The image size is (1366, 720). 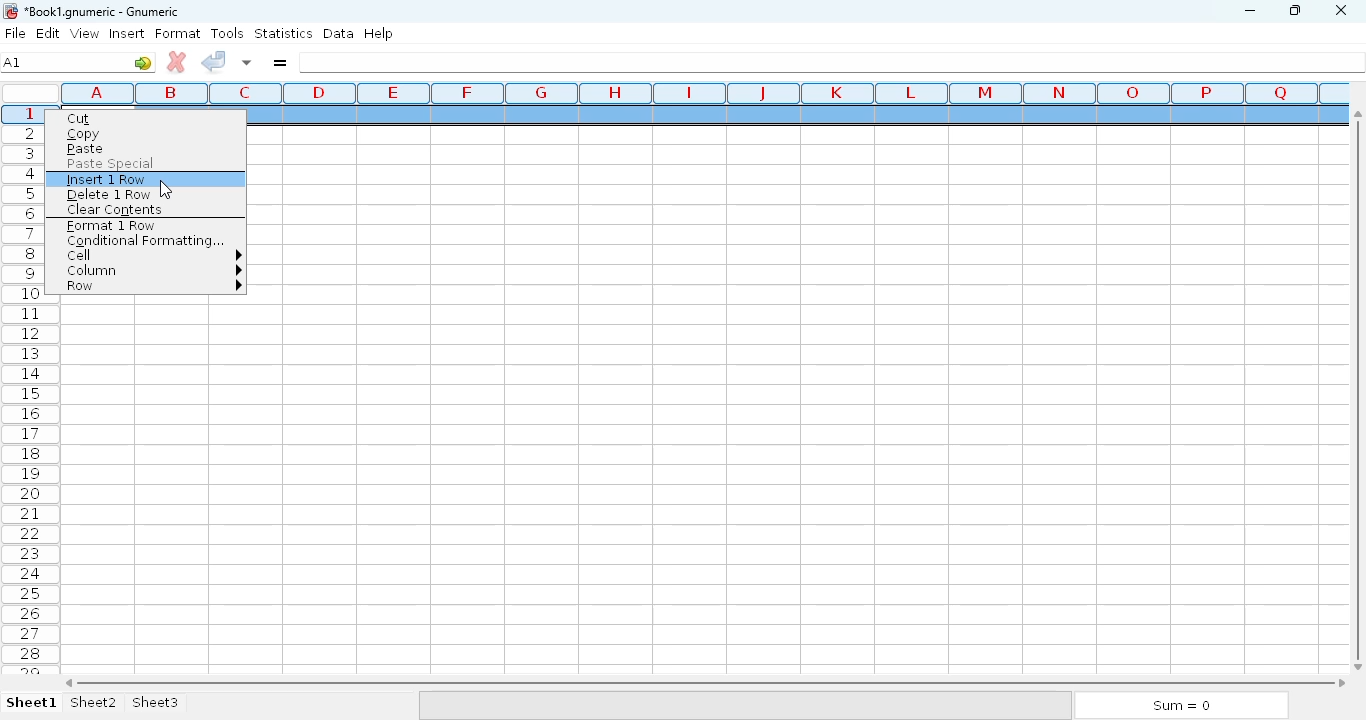 I want to click on maximize, so click(x=1294, y=9).